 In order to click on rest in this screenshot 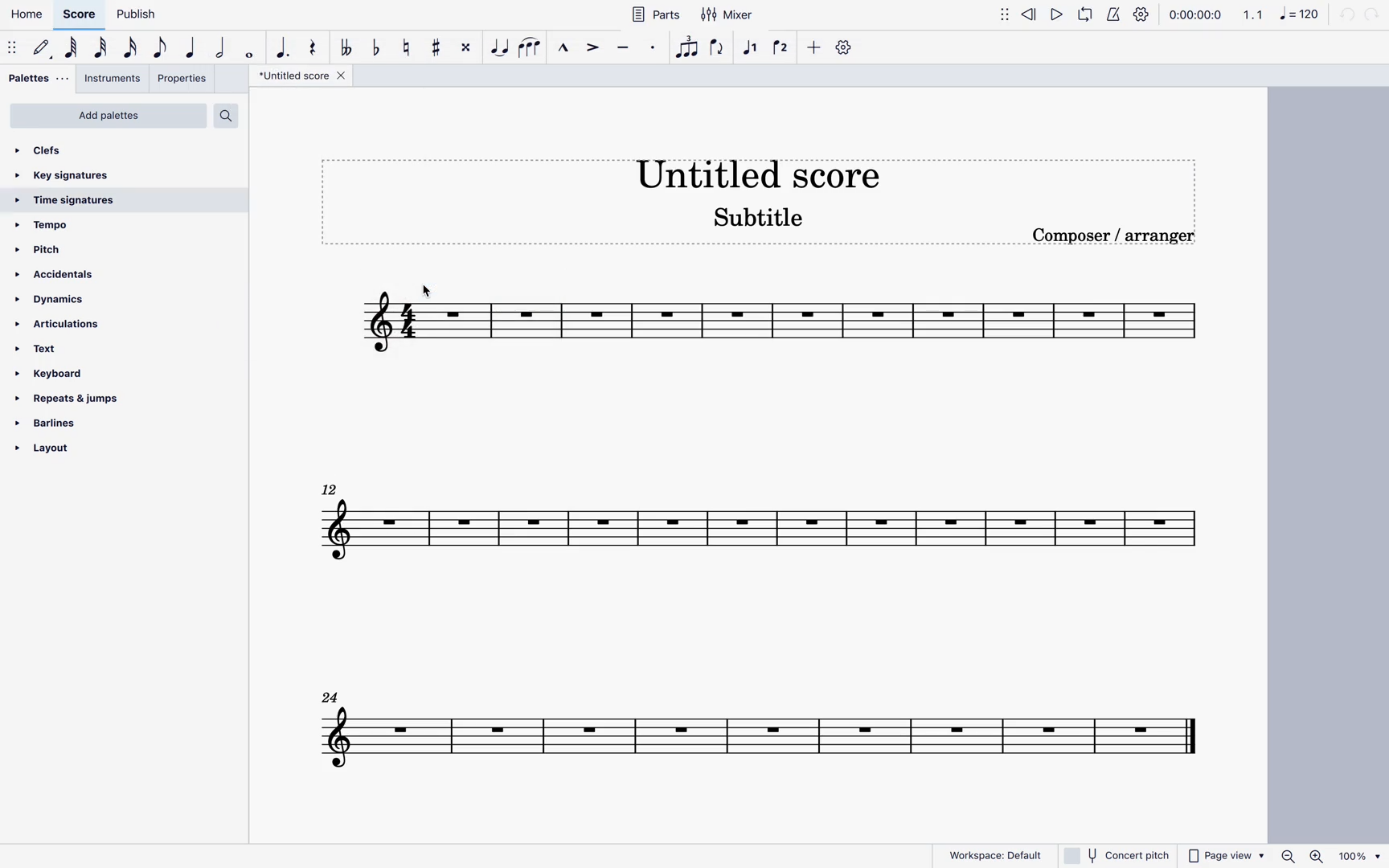, I will do `click(311, 48)`.